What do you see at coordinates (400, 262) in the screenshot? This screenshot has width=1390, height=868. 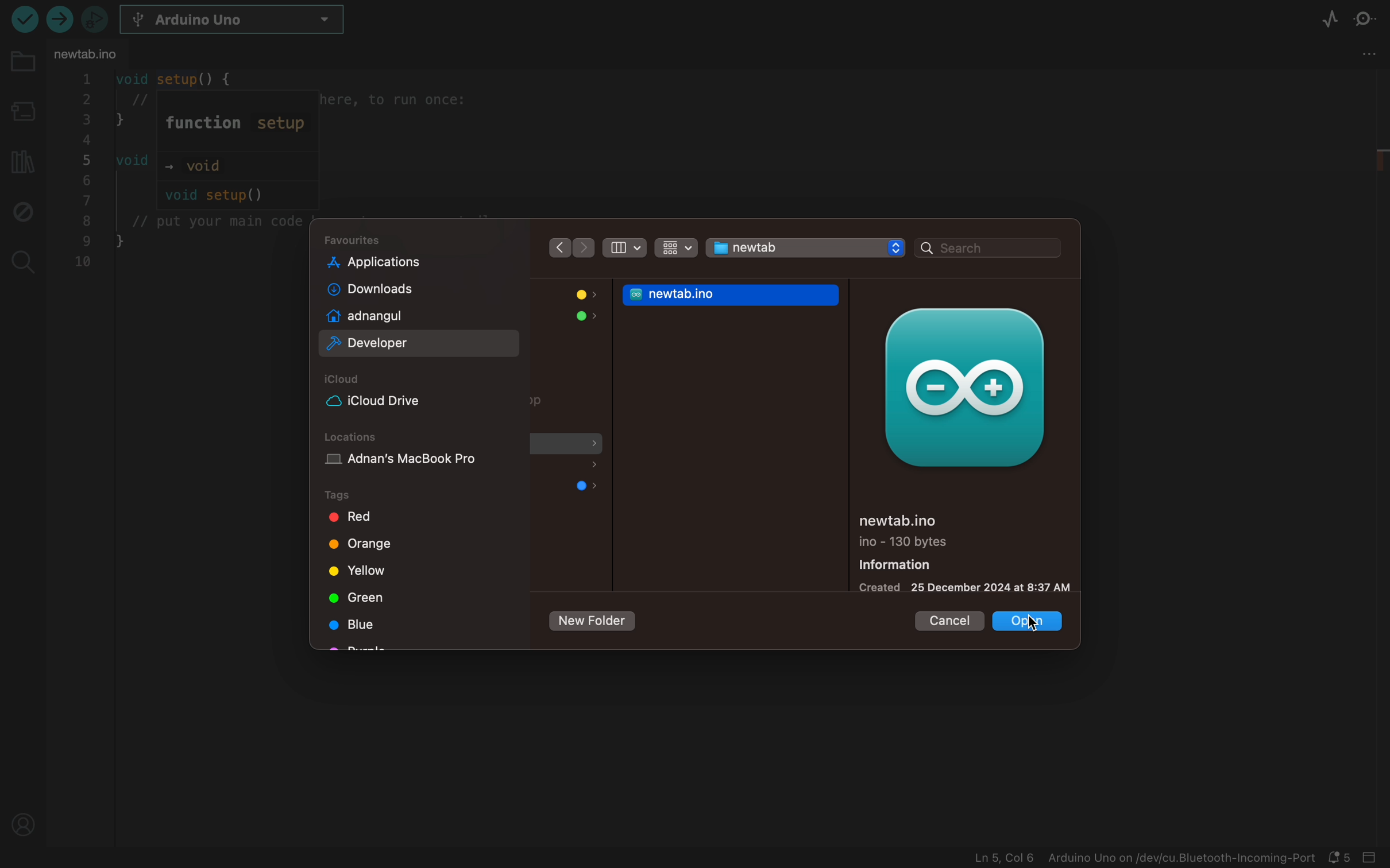 I see `applications` at bounding box center [400, 262].